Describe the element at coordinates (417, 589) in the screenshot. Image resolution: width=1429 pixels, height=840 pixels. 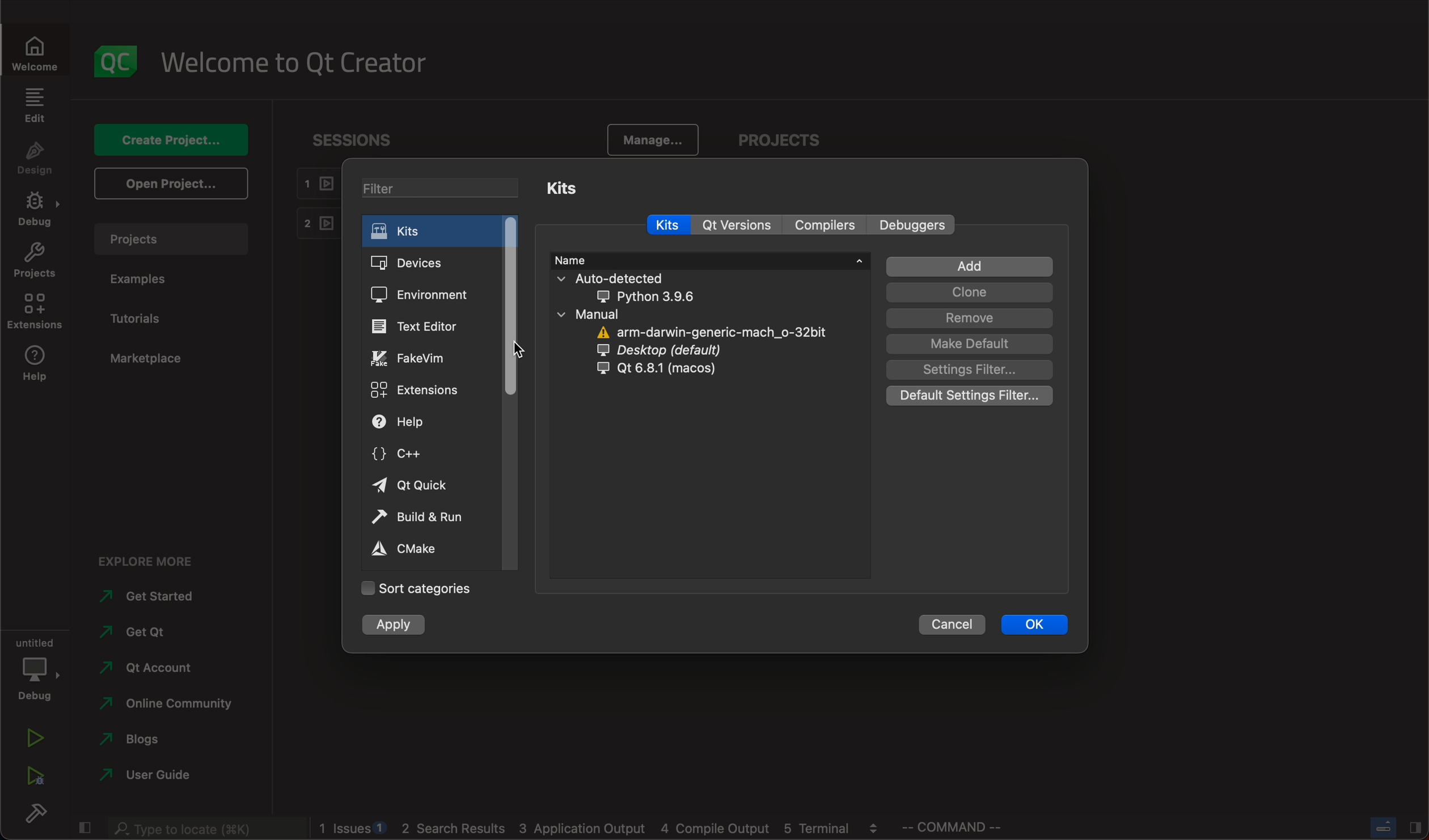
I see `categories` at that location.